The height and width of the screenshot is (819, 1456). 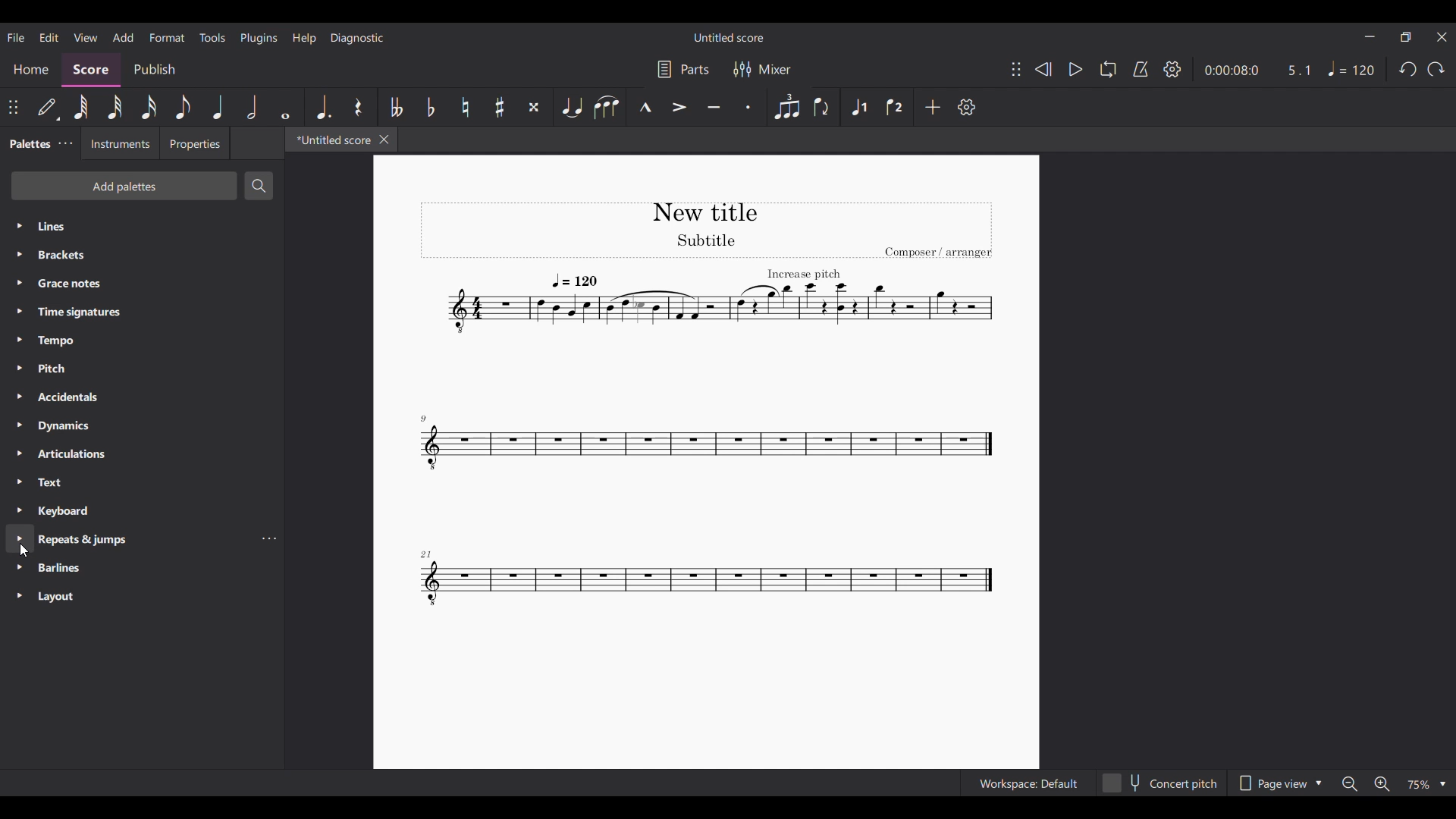 I want to click on Minimize, so click(x=1370, y=36).